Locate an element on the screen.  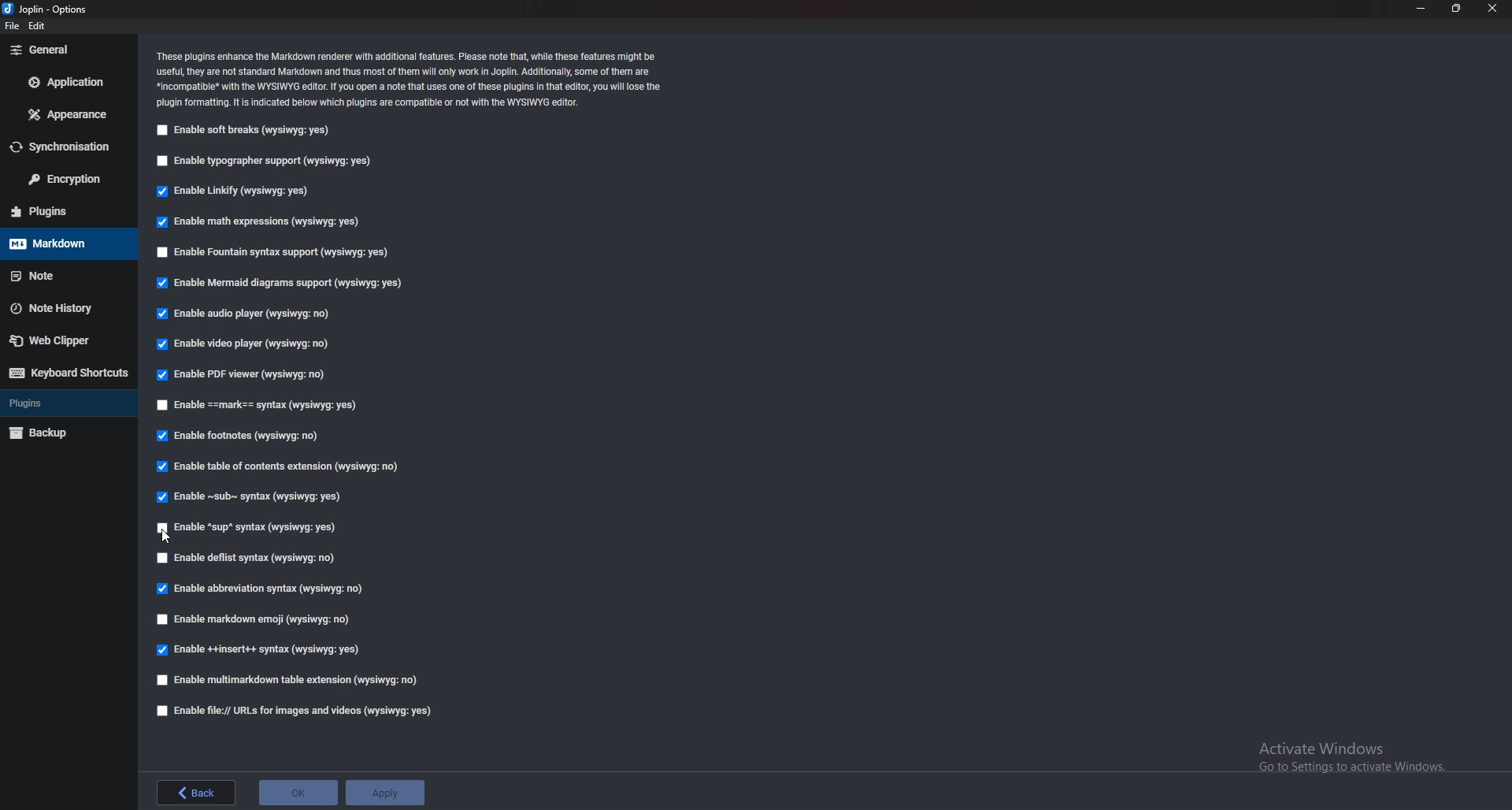
Enable soft breaks is located at coordinates (245, 129).